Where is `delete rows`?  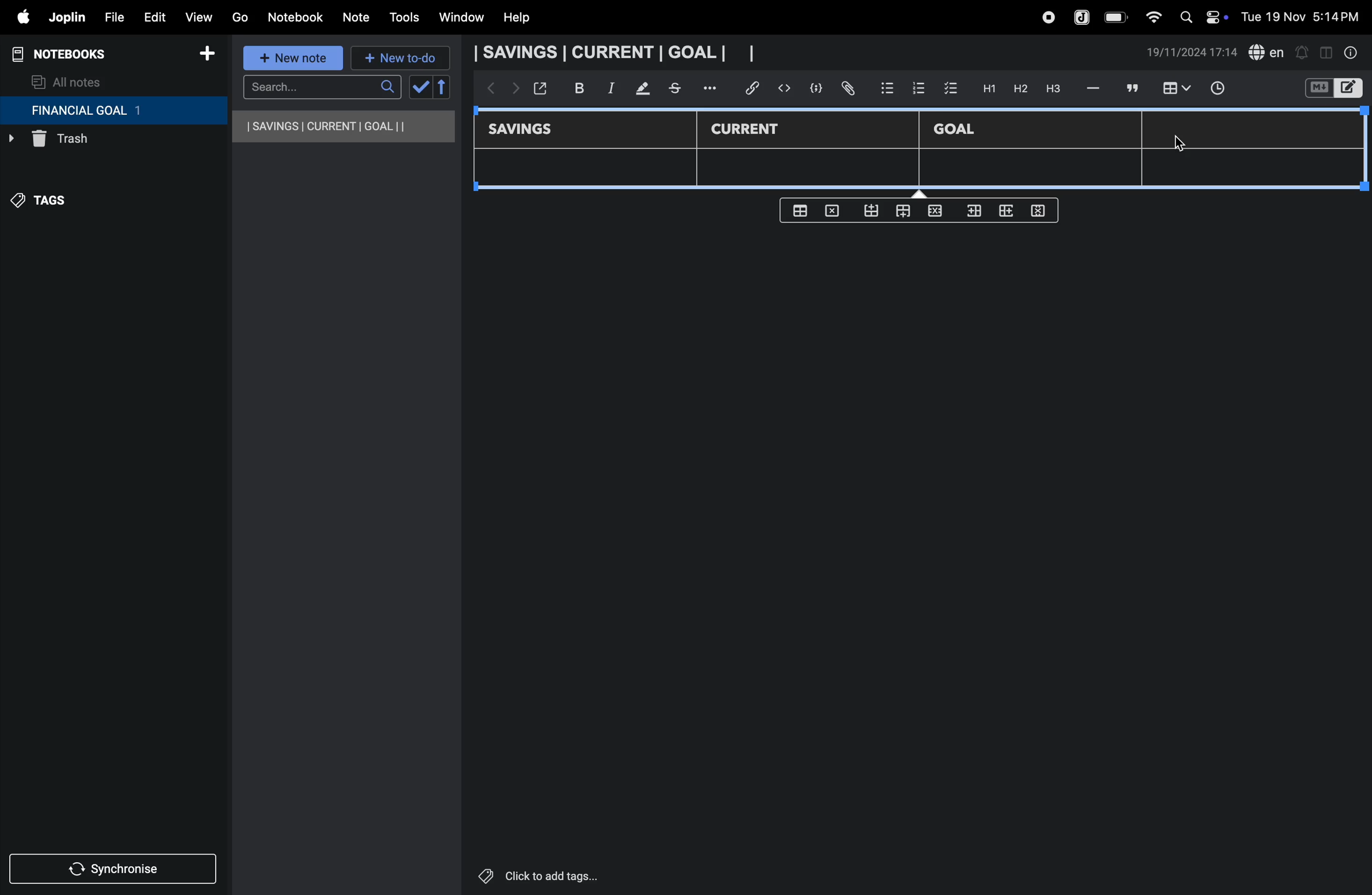
delete rows is located at coordinates (1039, 210).